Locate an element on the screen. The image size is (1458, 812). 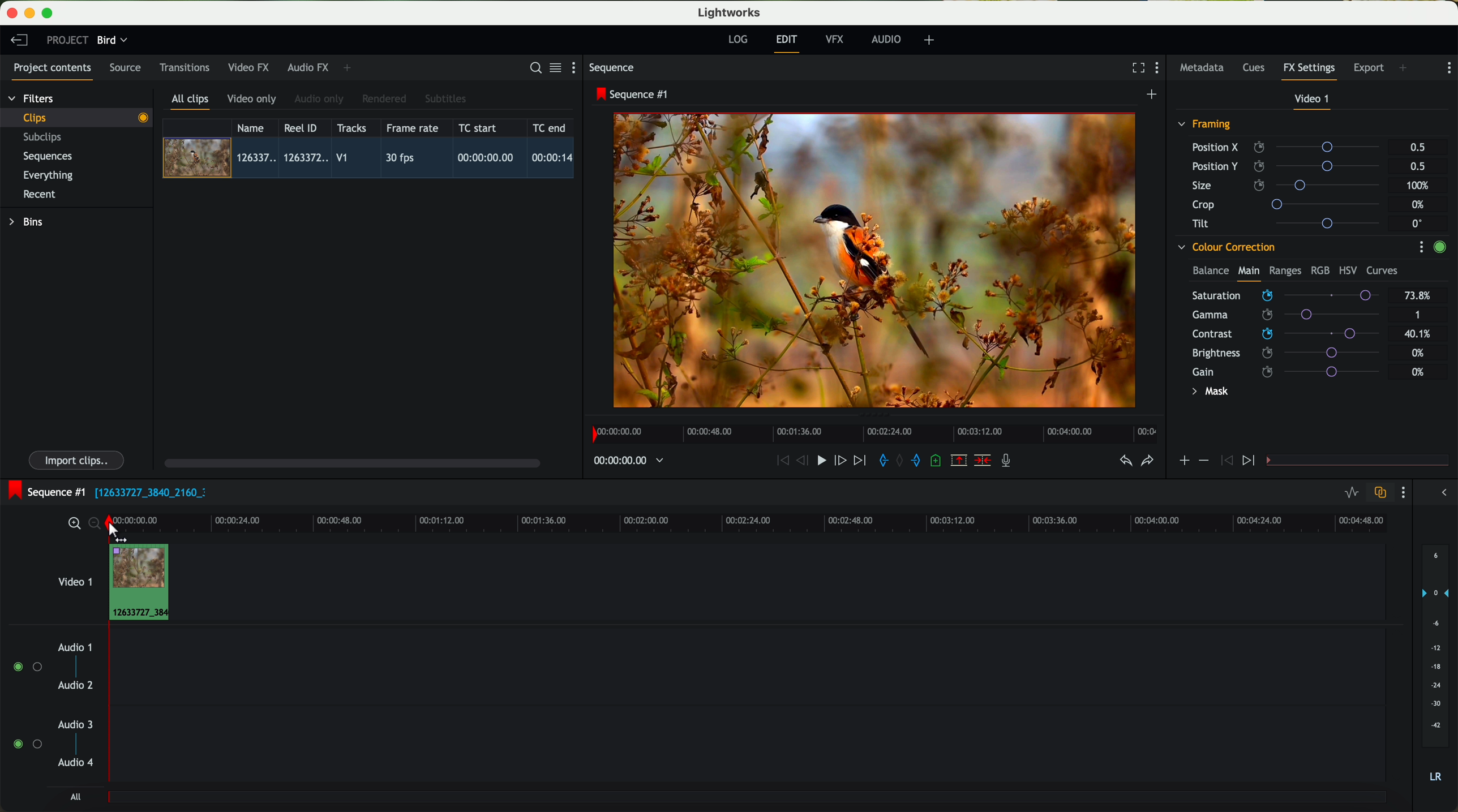
project contents is located at coordinates (53, 71).